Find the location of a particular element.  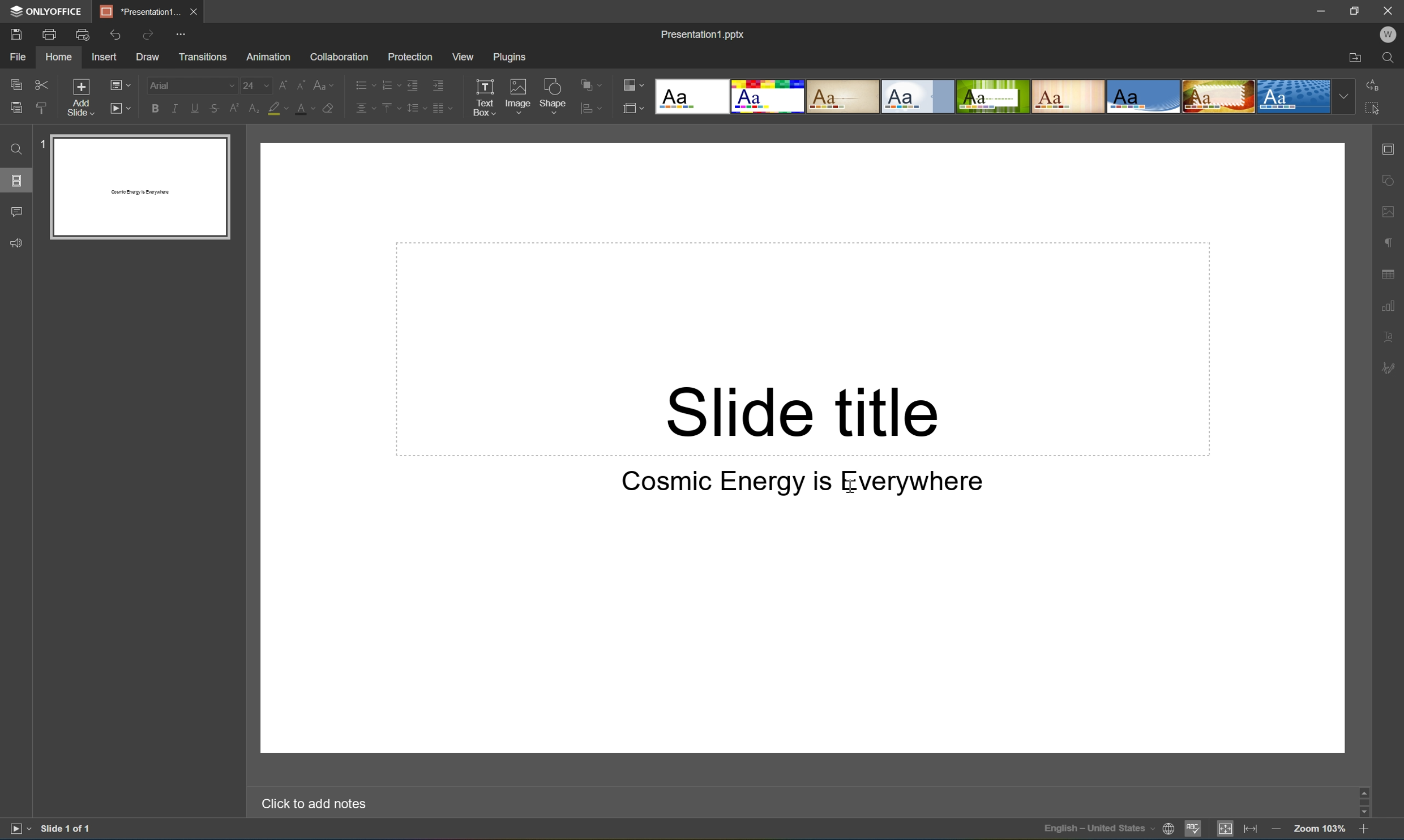

Fit to slide is located at coordinates (1225, 830).